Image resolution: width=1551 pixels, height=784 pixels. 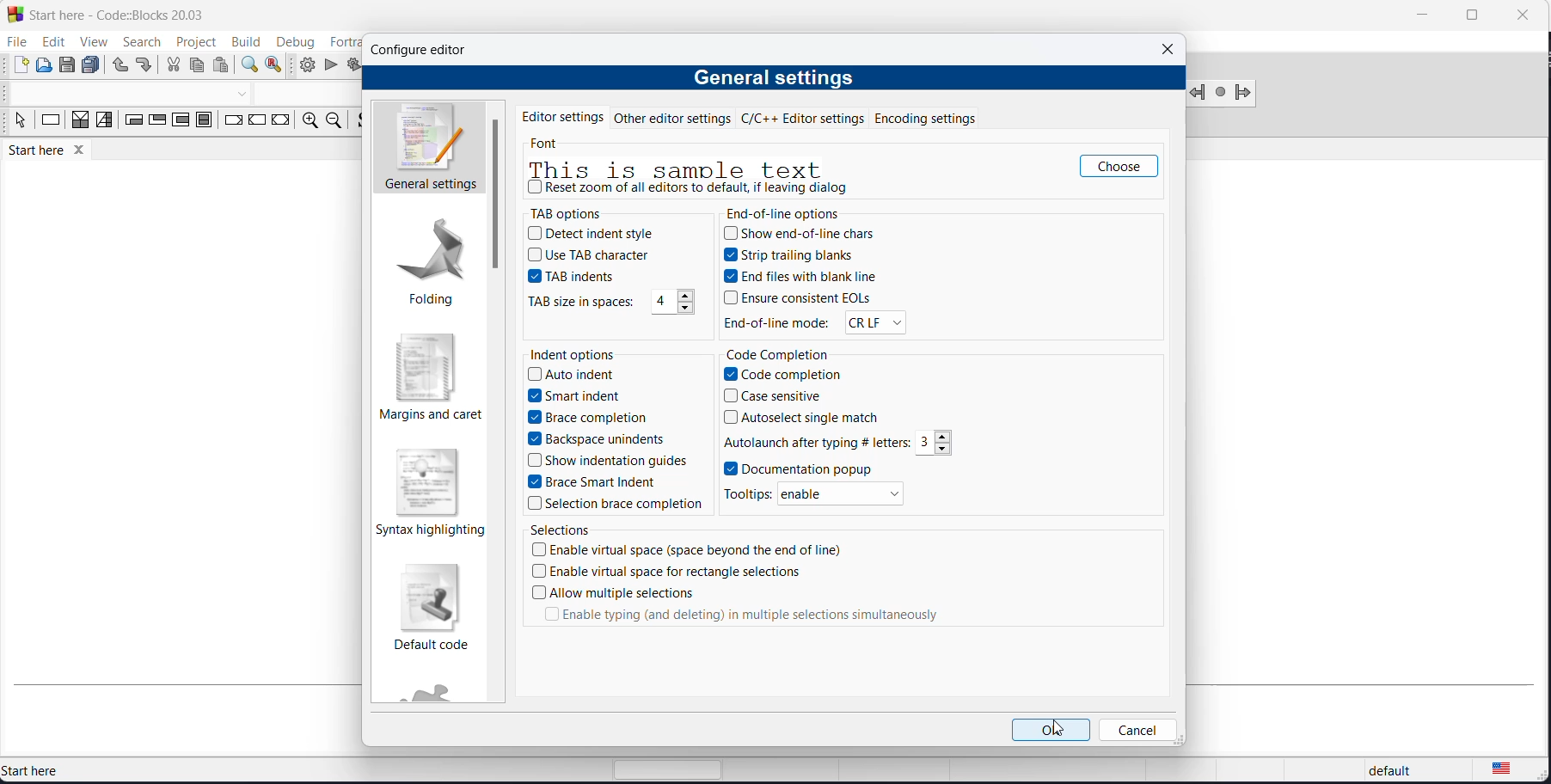 What do you see at coordinates (307, 122) in the screenshot?
I see `zoom in` at bounding box center [307, 122].